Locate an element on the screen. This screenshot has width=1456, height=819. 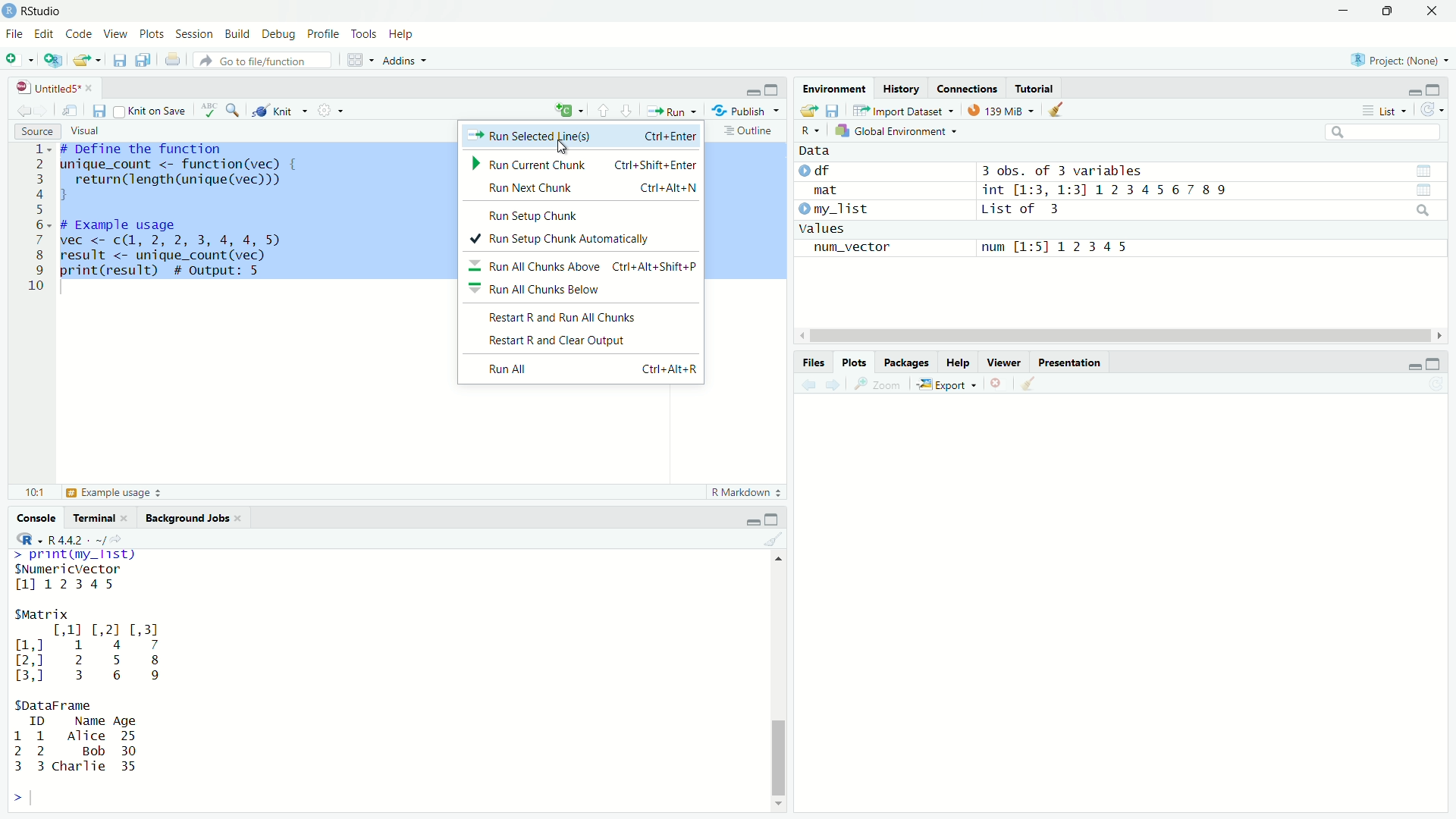
Environment is located at coordinates (835, 89).